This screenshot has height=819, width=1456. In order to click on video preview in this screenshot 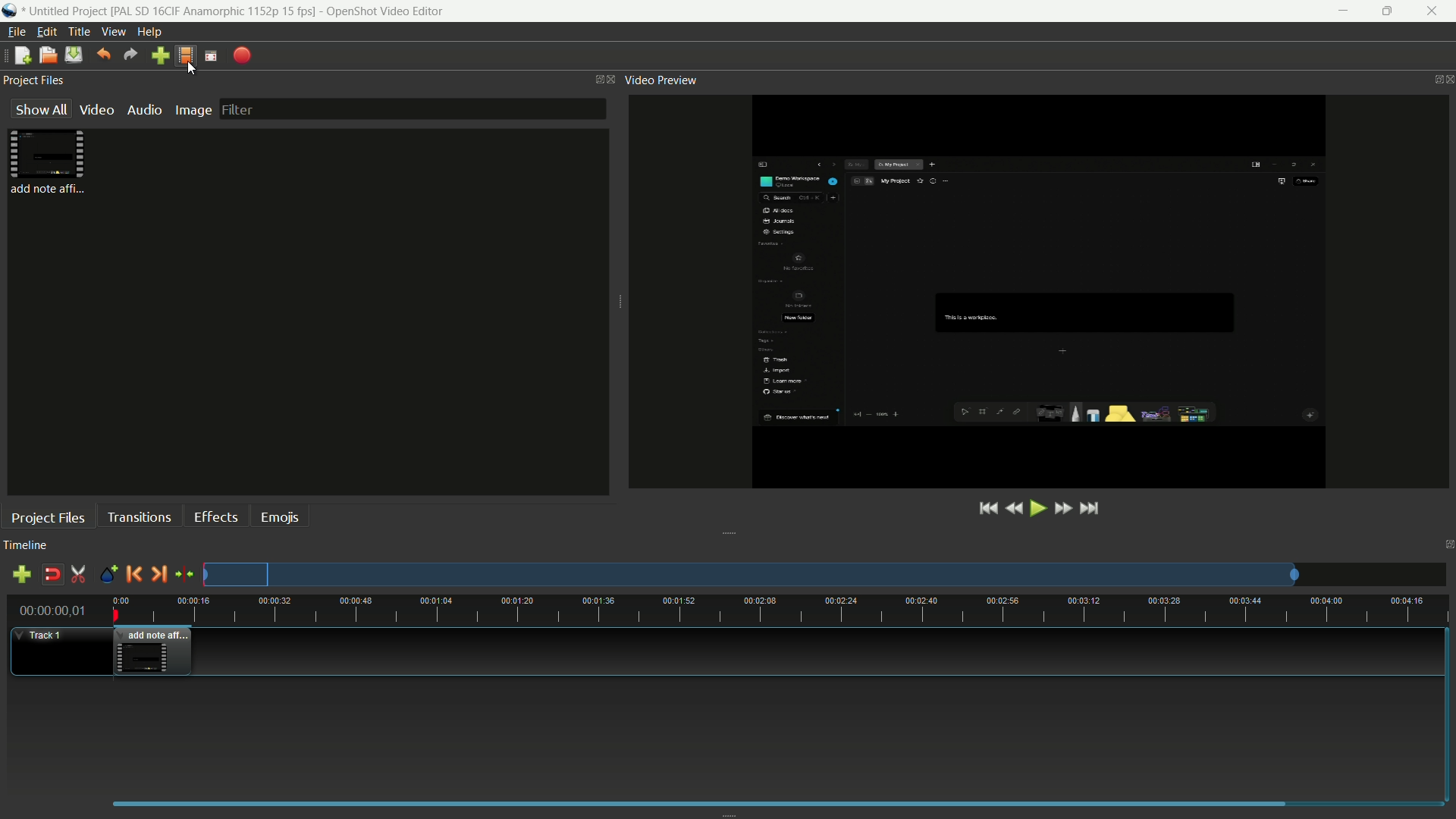, I will do `click(1032, 293)`.